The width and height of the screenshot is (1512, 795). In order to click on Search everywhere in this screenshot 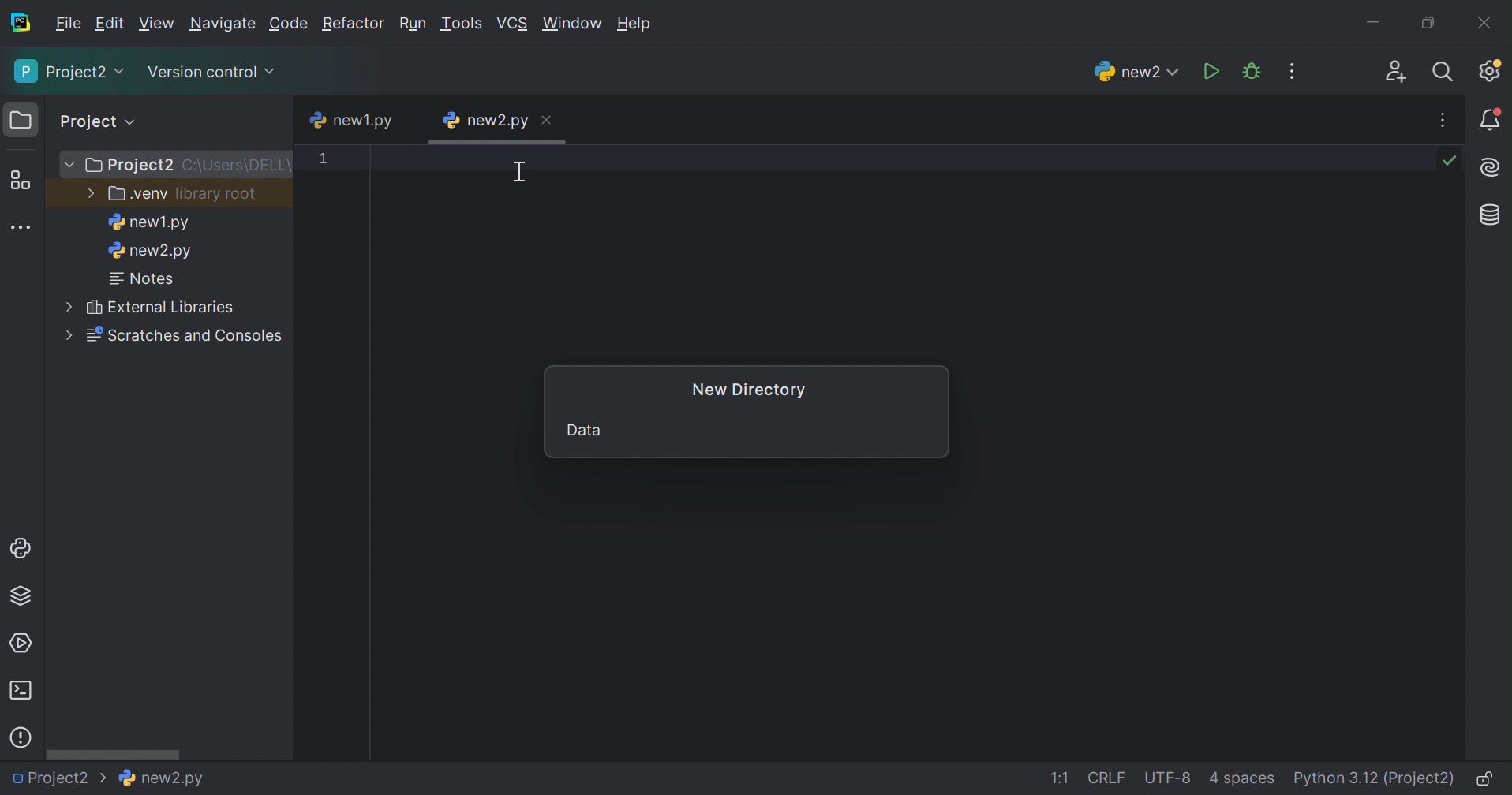, I will do `click(1449, 73)`.